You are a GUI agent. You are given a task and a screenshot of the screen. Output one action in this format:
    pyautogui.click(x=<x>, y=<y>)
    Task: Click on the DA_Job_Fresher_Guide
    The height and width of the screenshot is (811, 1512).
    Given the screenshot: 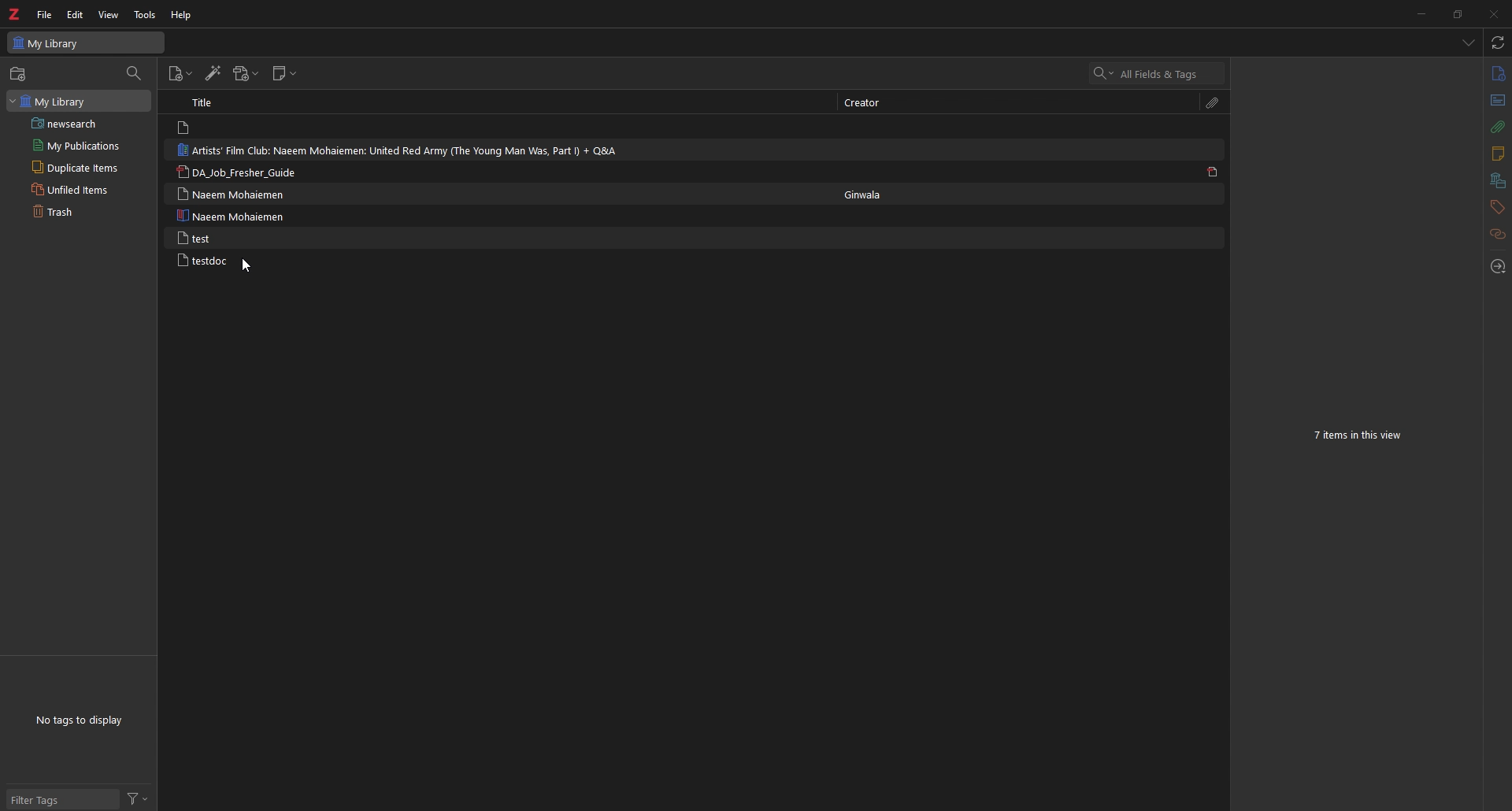 What is the action you would take?
    pyautogui.click(x=239, y=172)
    